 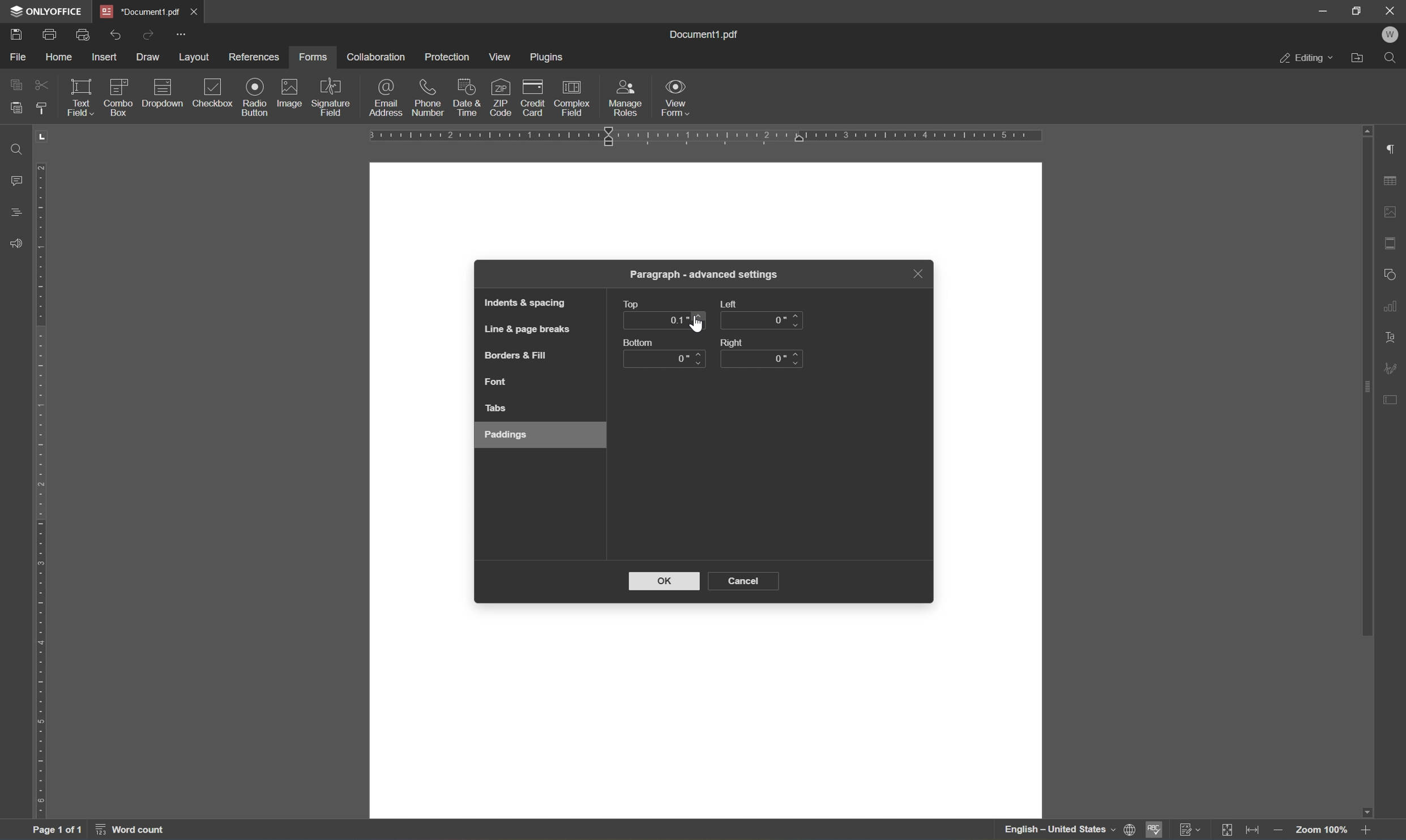 I want to click on text art settings, so click(x=1392, y=338).